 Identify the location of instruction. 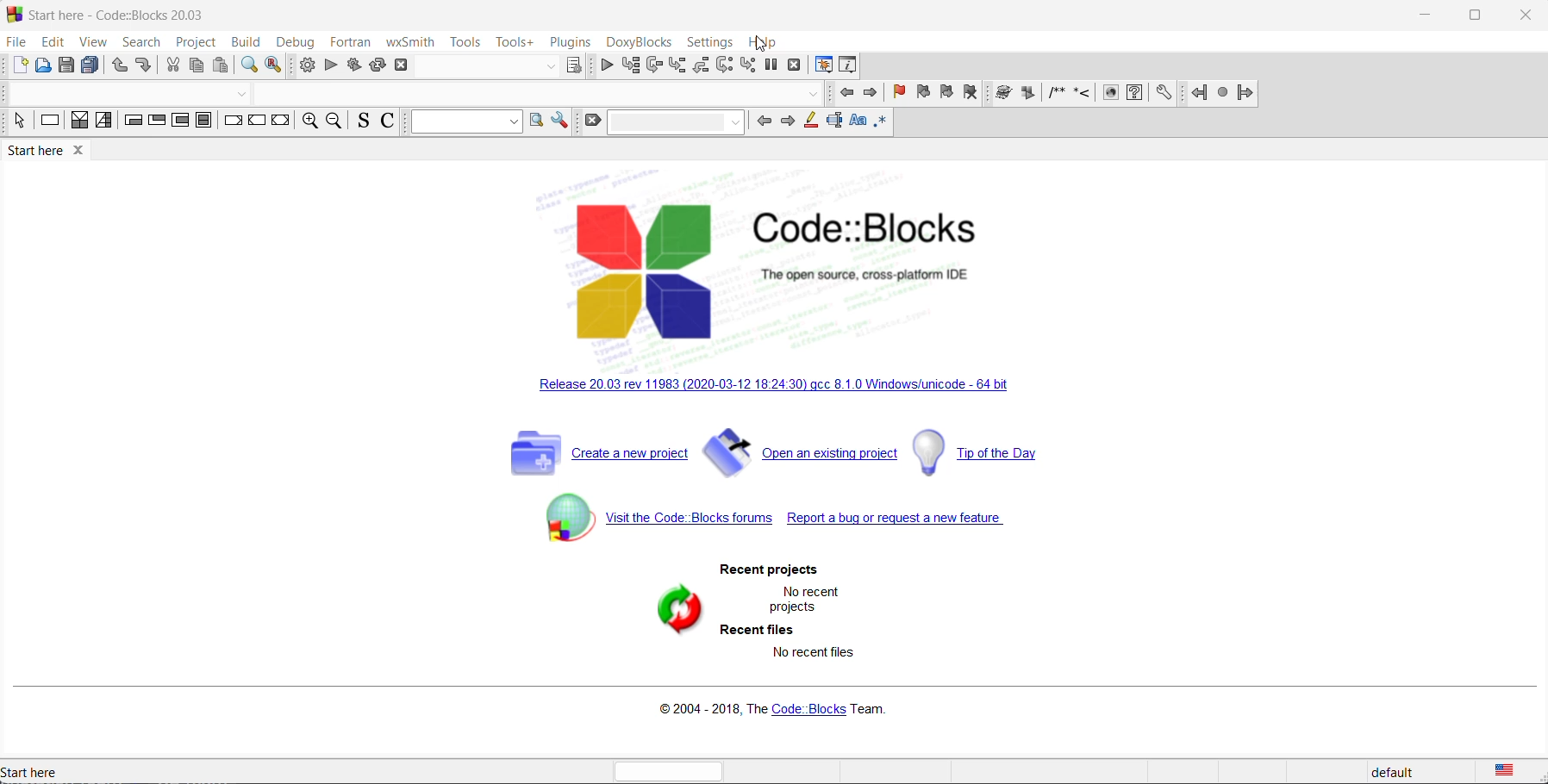
(48, 123).